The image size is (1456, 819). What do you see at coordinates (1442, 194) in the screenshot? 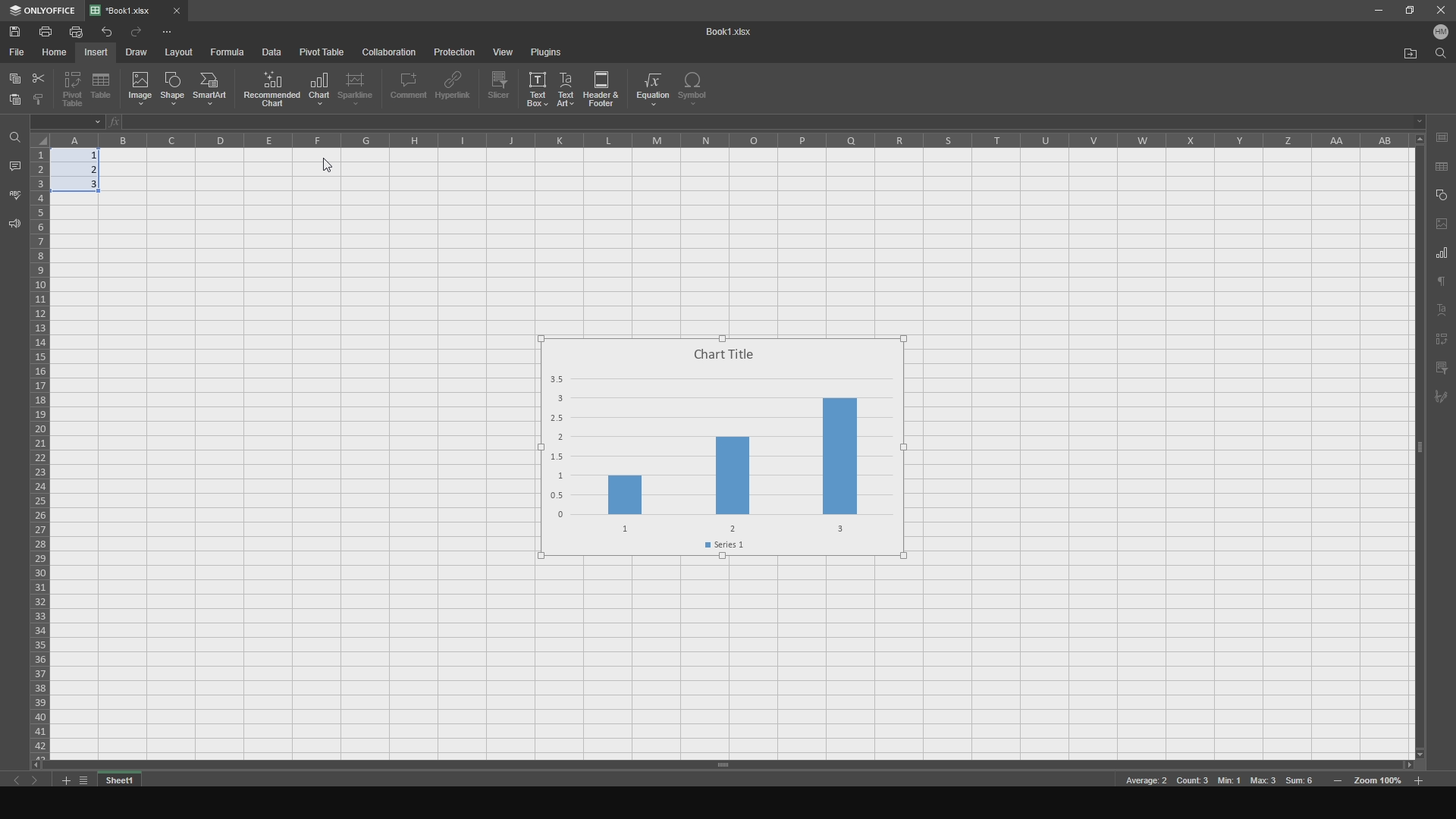
I see `copy` at bounding box center [1442, 194].